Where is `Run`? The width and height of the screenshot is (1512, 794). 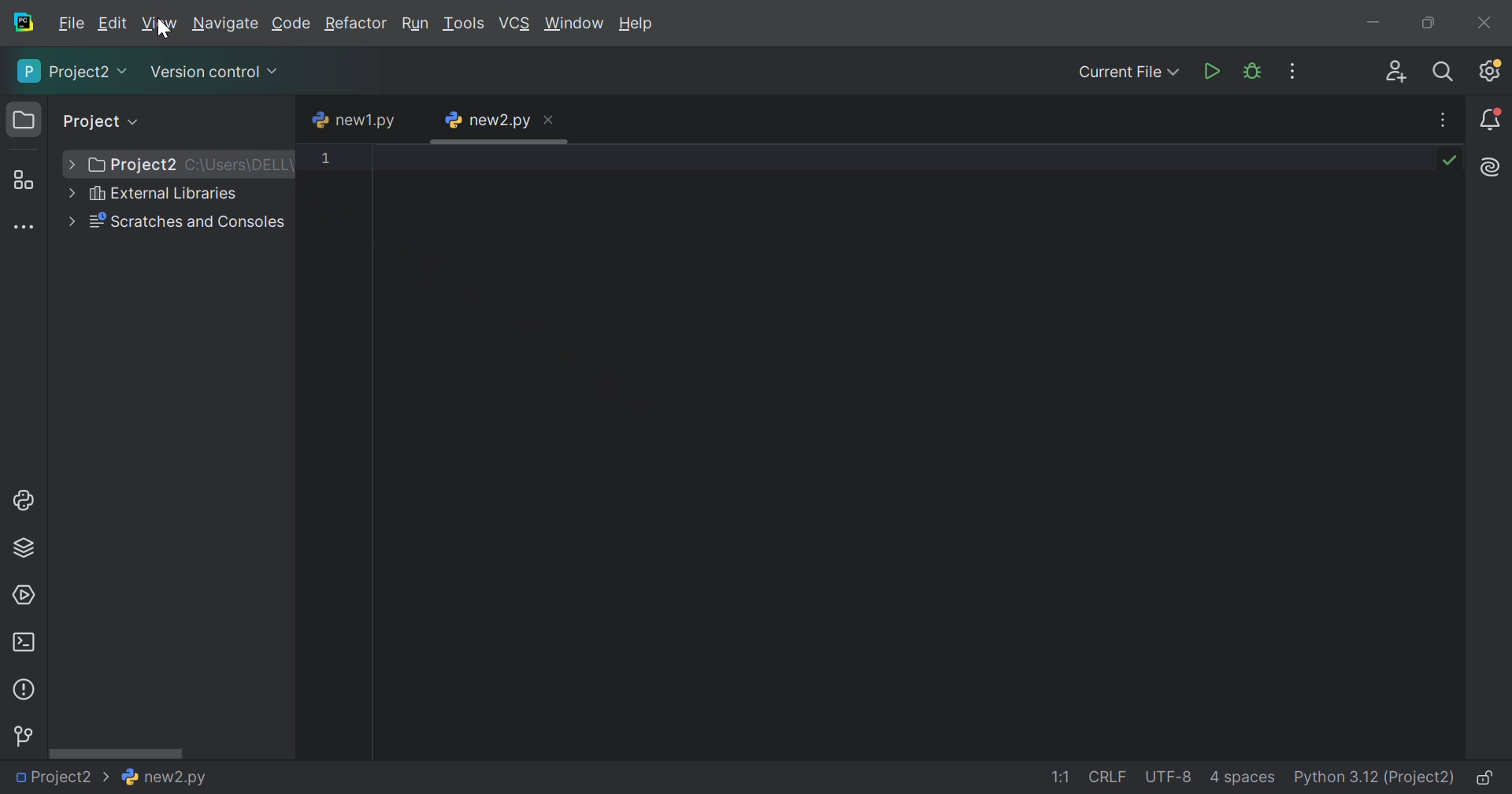
Run is located at coordinates (1210, 71).